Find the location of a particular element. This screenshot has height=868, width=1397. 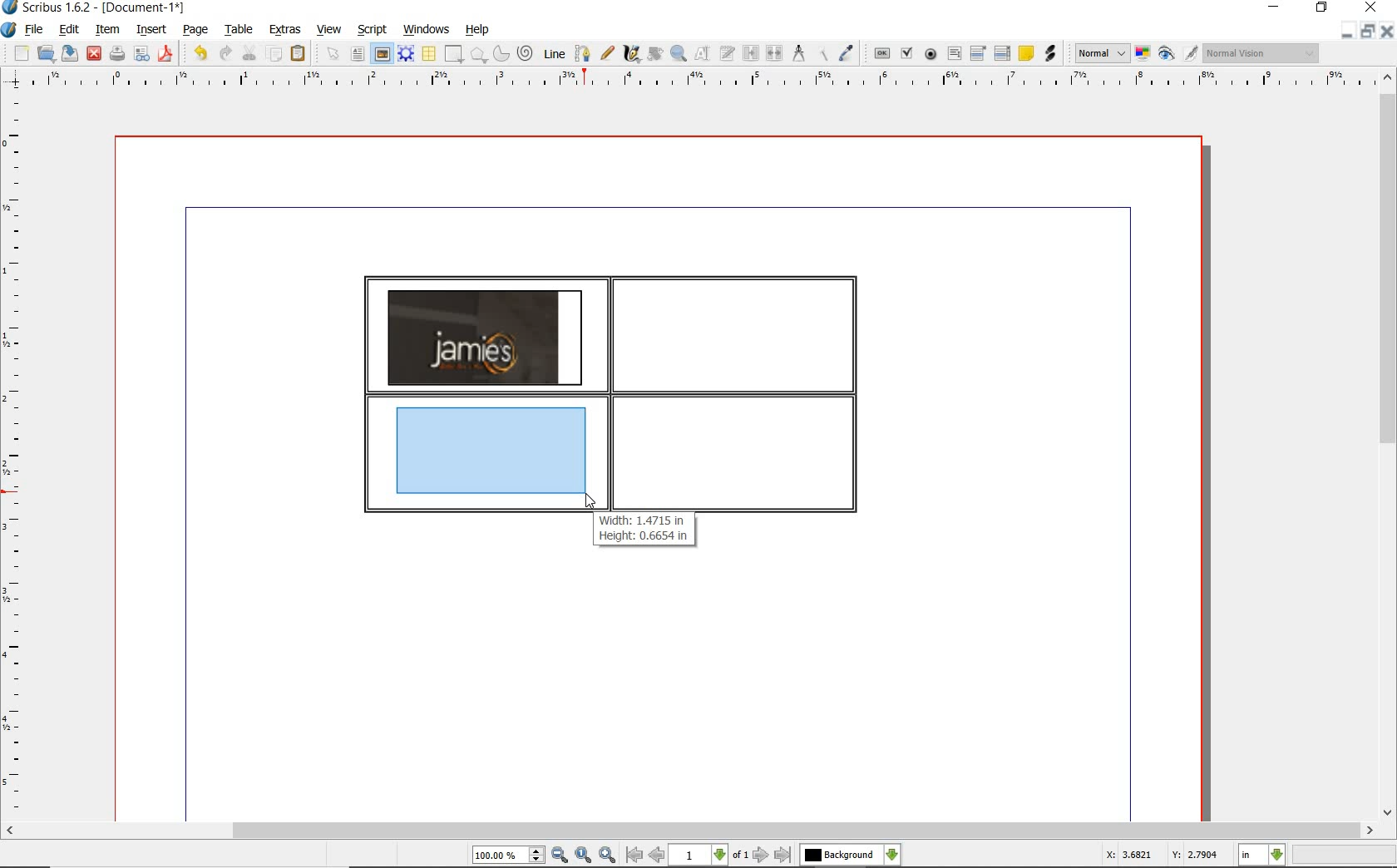

copy item properties is located at coordinates (822, 54).